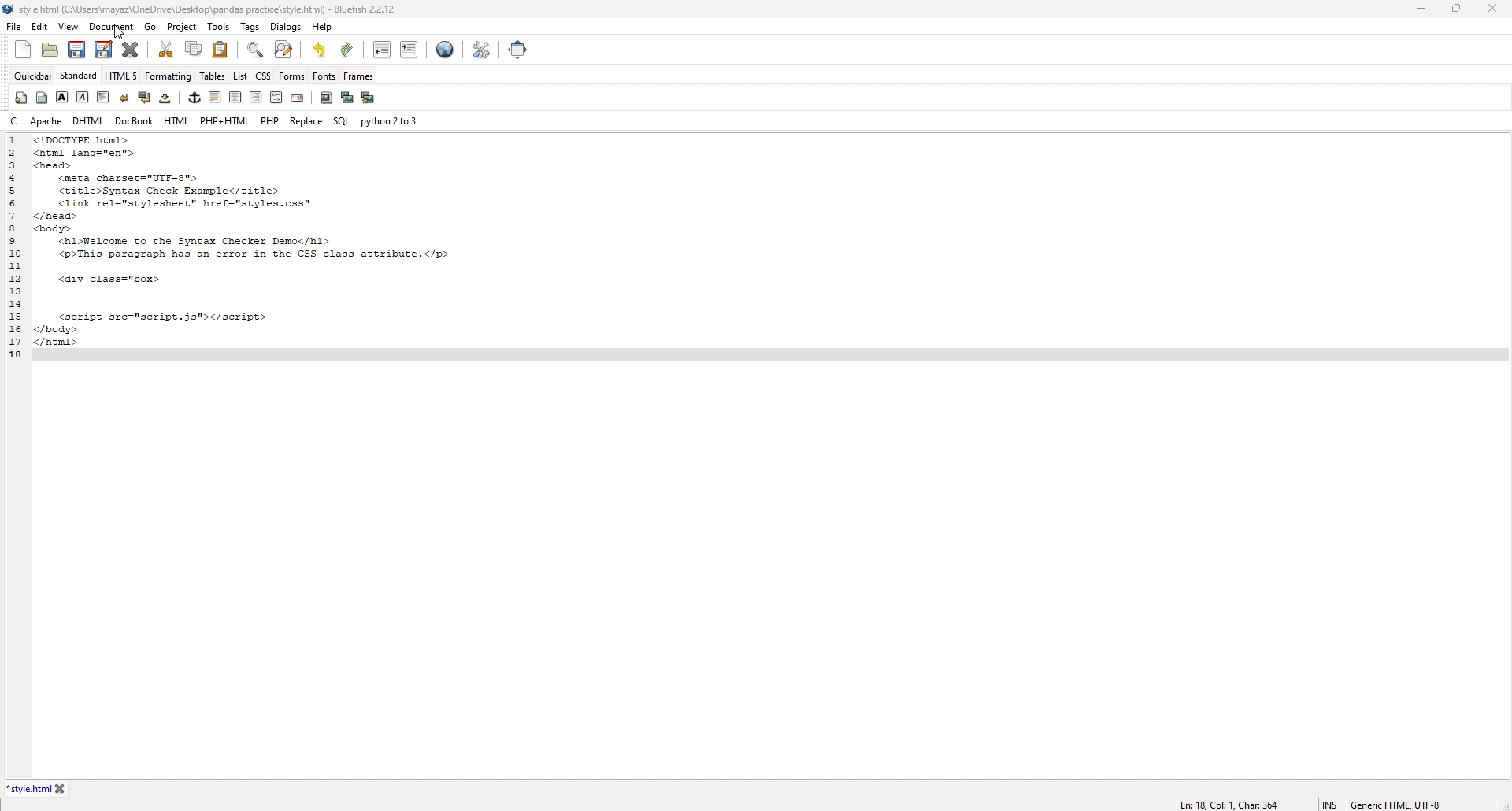 This screenshot has width=1512, height=811. Describe the element at coordinates (39, 27) in the screenshot. I see `edit` at that location.